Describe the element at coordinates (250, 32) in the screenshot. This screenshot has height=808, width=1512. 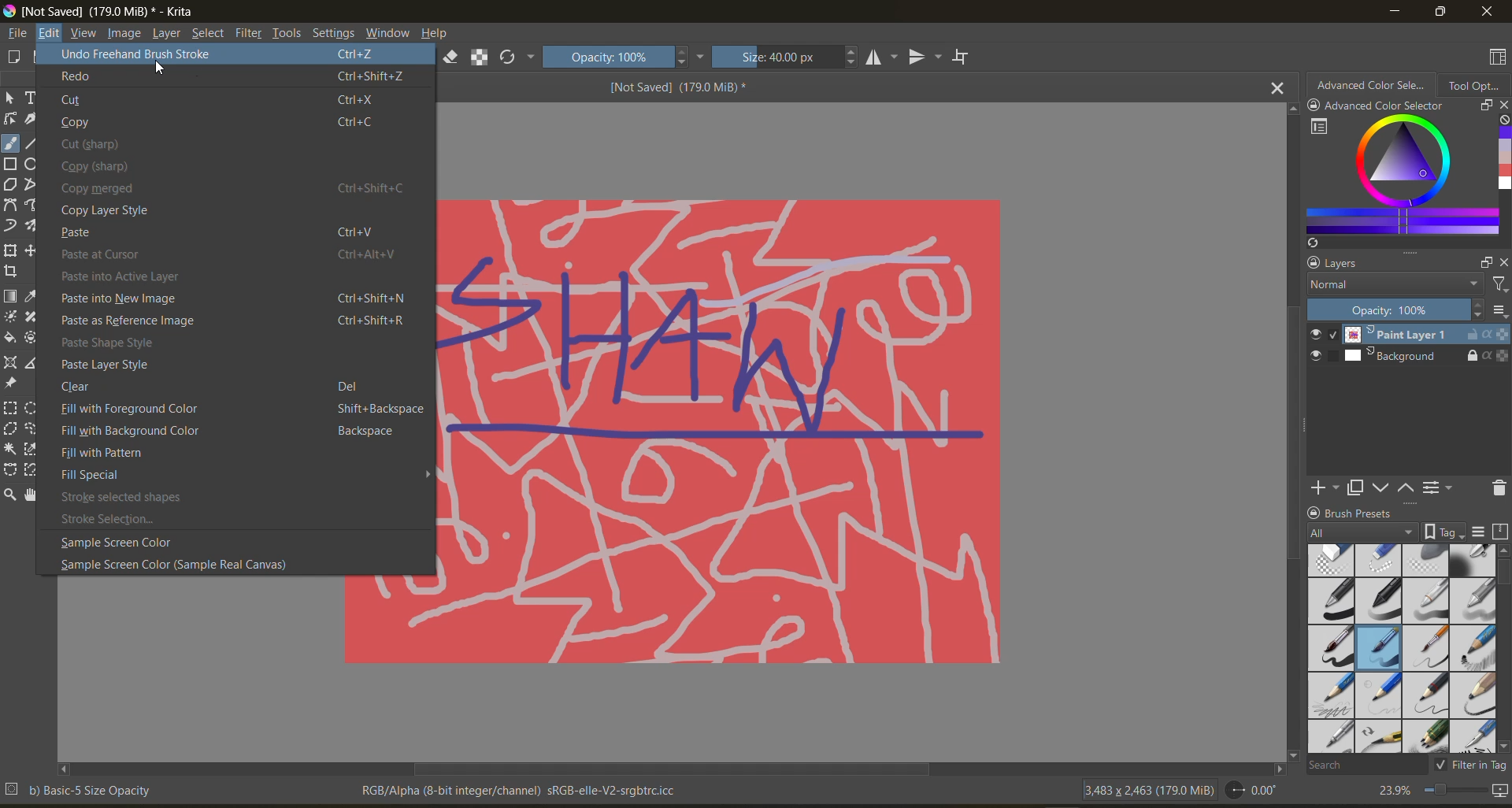
I see `filters` at that location.